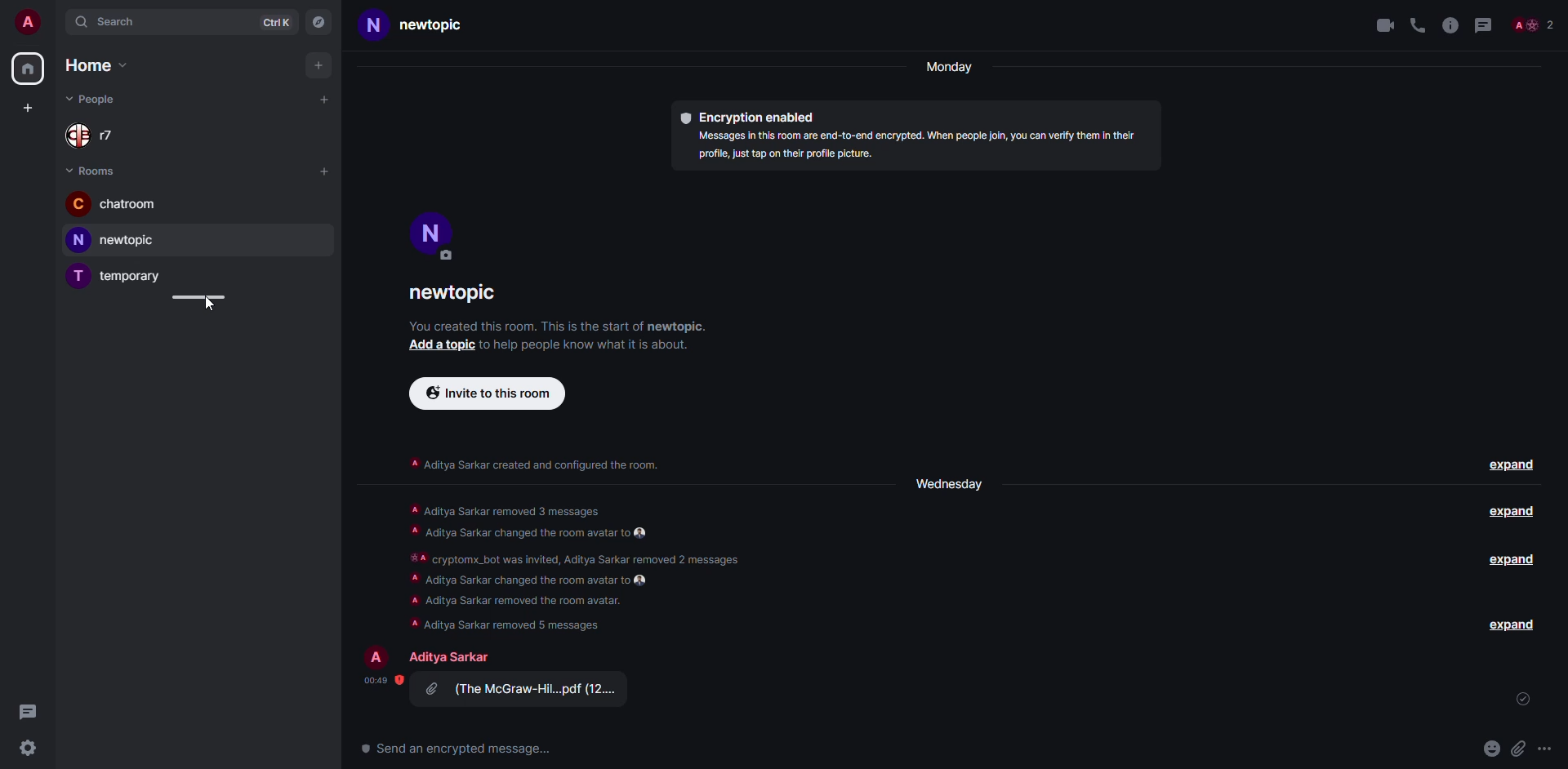  I want to click on emoji, so click(1493, 748).